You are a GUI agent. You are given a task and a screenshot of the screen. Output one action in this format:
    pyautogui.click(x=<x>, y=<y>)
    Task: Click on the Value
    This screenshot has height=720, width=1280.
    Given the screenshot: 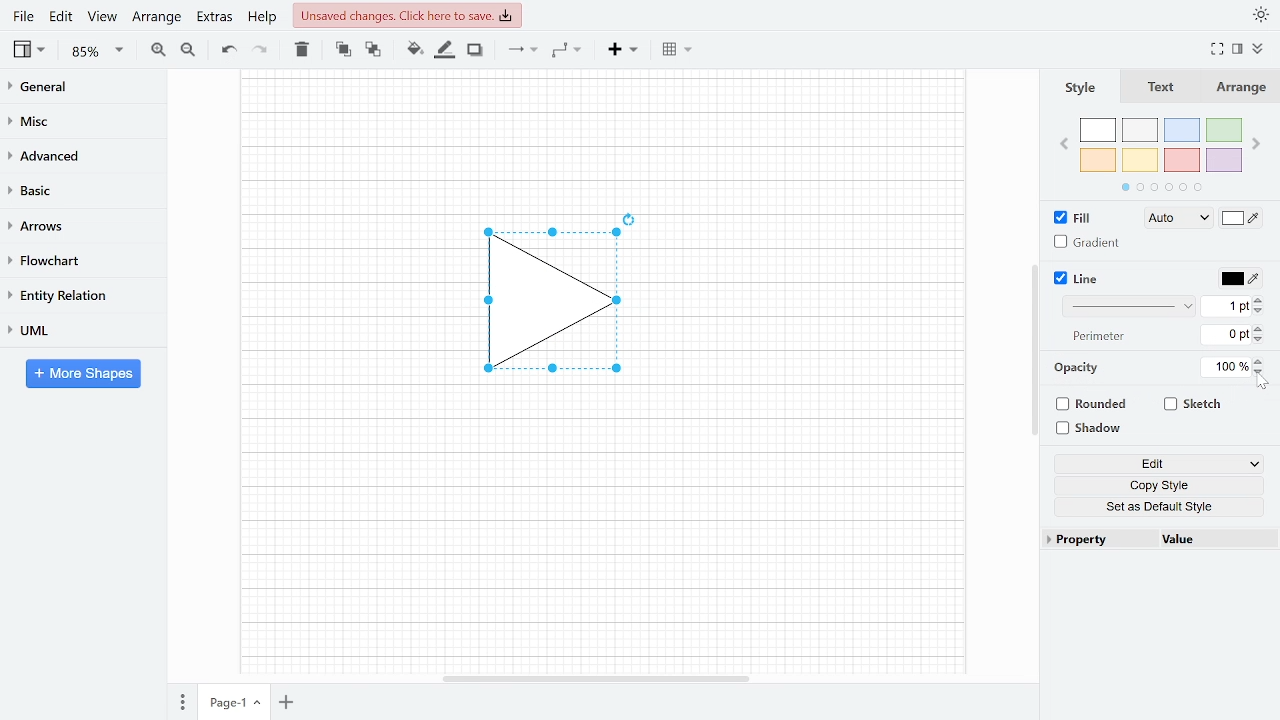 What is the action you would take?
    pyautogui.click(x=1213, y=541)
    